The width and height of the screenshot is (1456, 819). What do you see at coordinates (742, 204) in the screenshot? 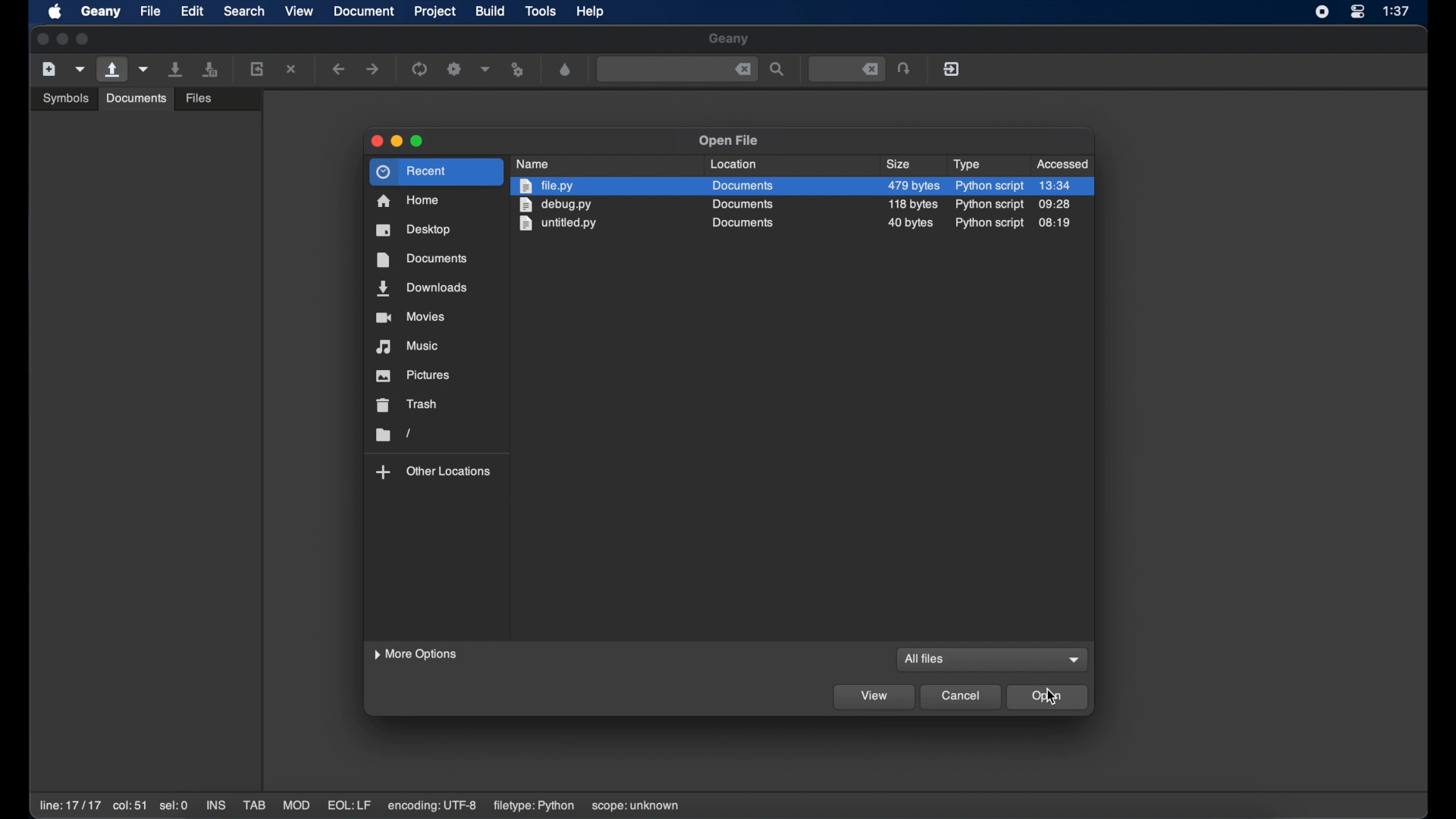
I see `documents` at bounding box center [742, 204].